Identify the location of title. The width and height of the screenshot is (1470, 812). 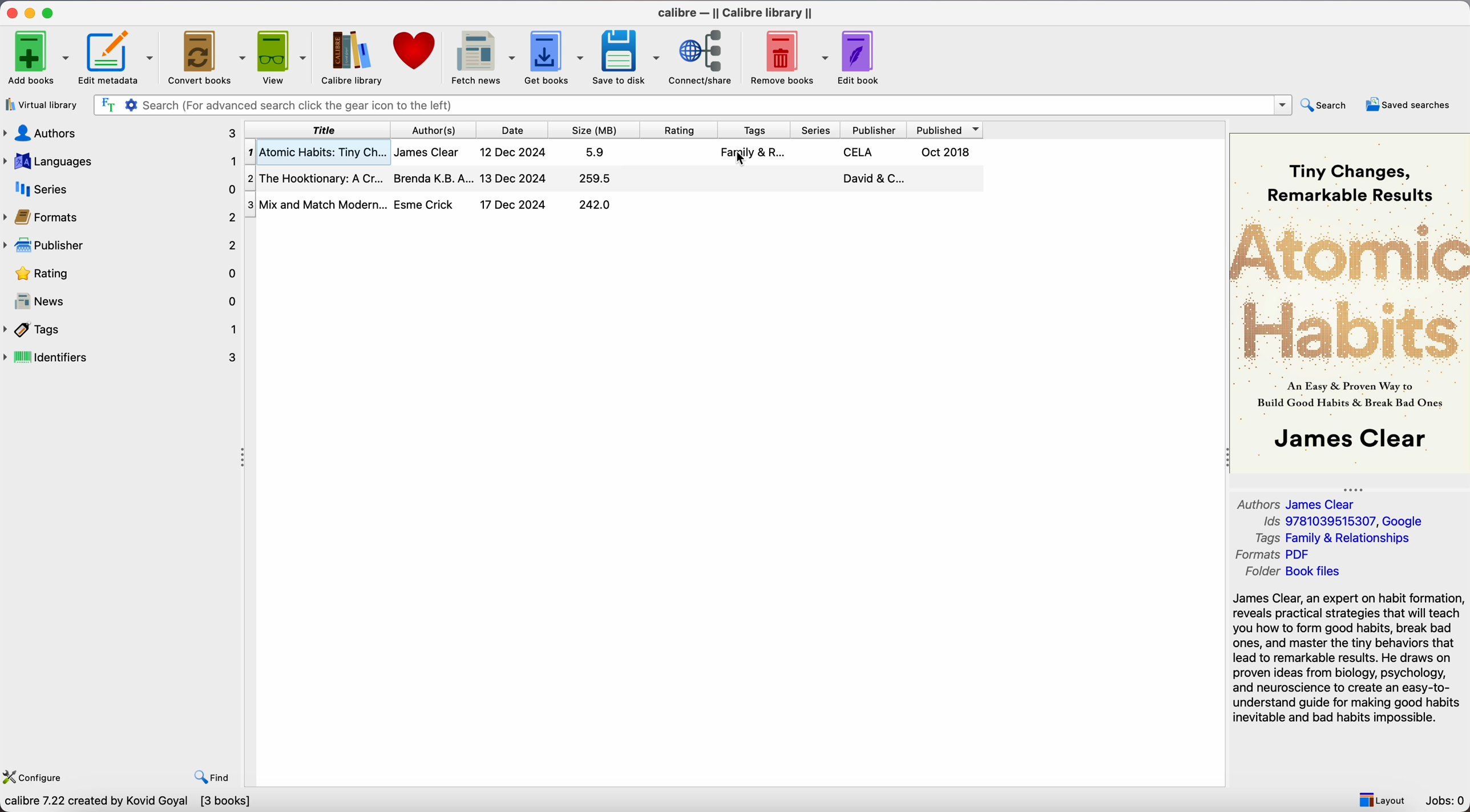
(315, 129).